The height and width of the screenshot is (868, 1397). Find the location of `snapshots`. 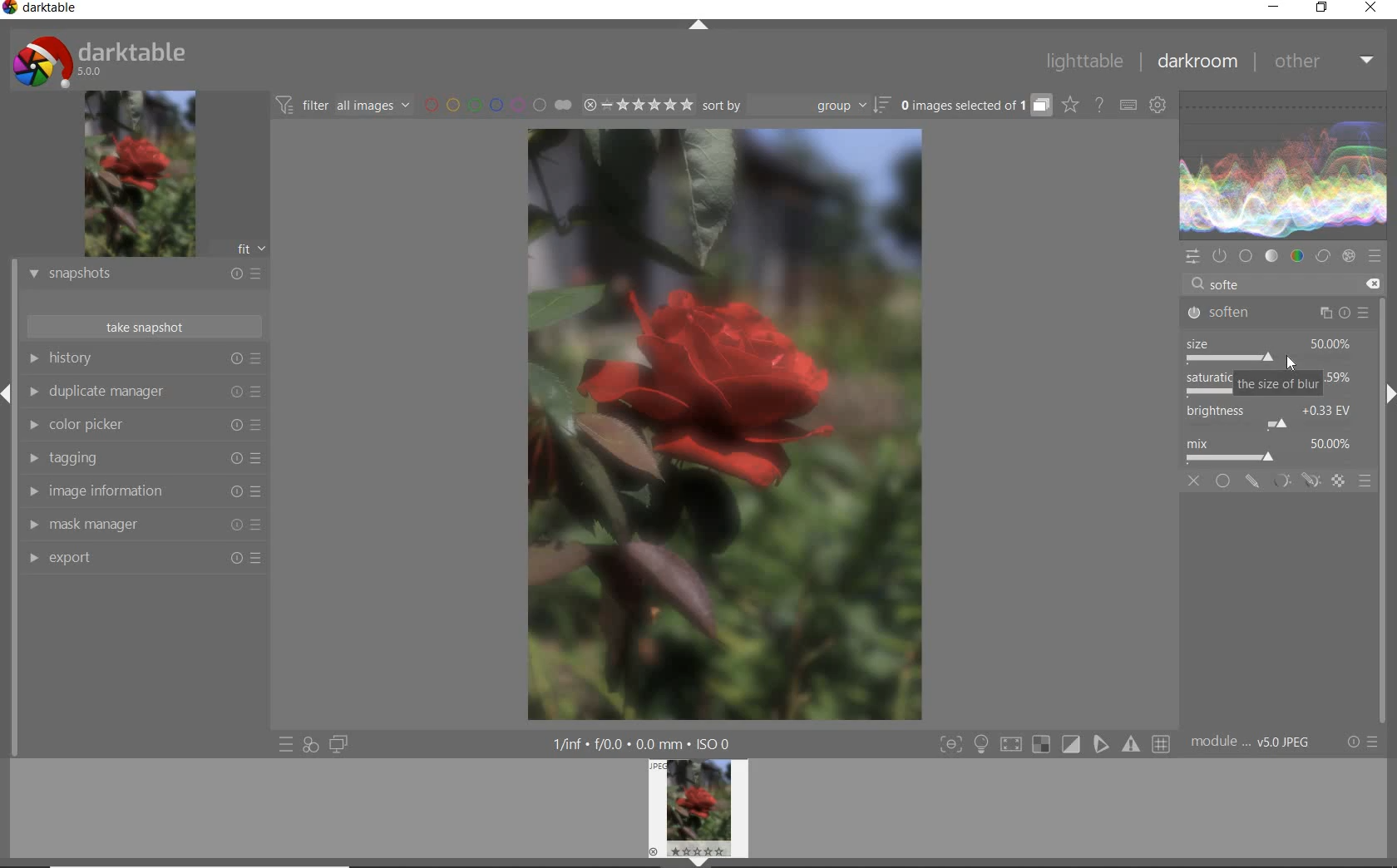

snapshots is located at coordinates (144, 275).